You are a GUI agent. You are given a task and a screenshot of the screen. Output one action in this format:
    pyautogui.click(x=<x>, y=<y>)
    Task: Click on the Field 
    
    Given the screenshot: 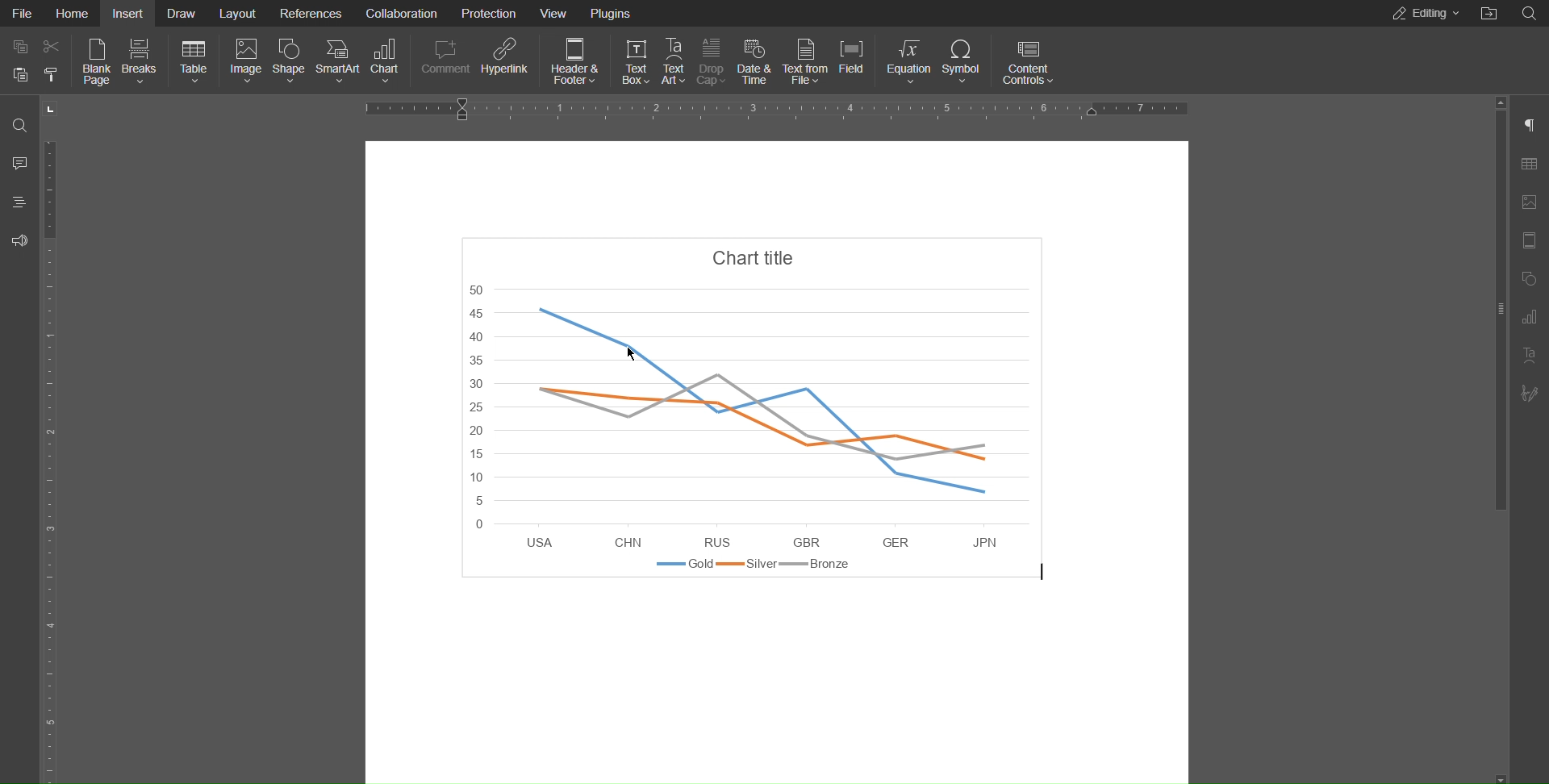 What is the action you would take?
    pyautogui.click(x=854, y=60)
    